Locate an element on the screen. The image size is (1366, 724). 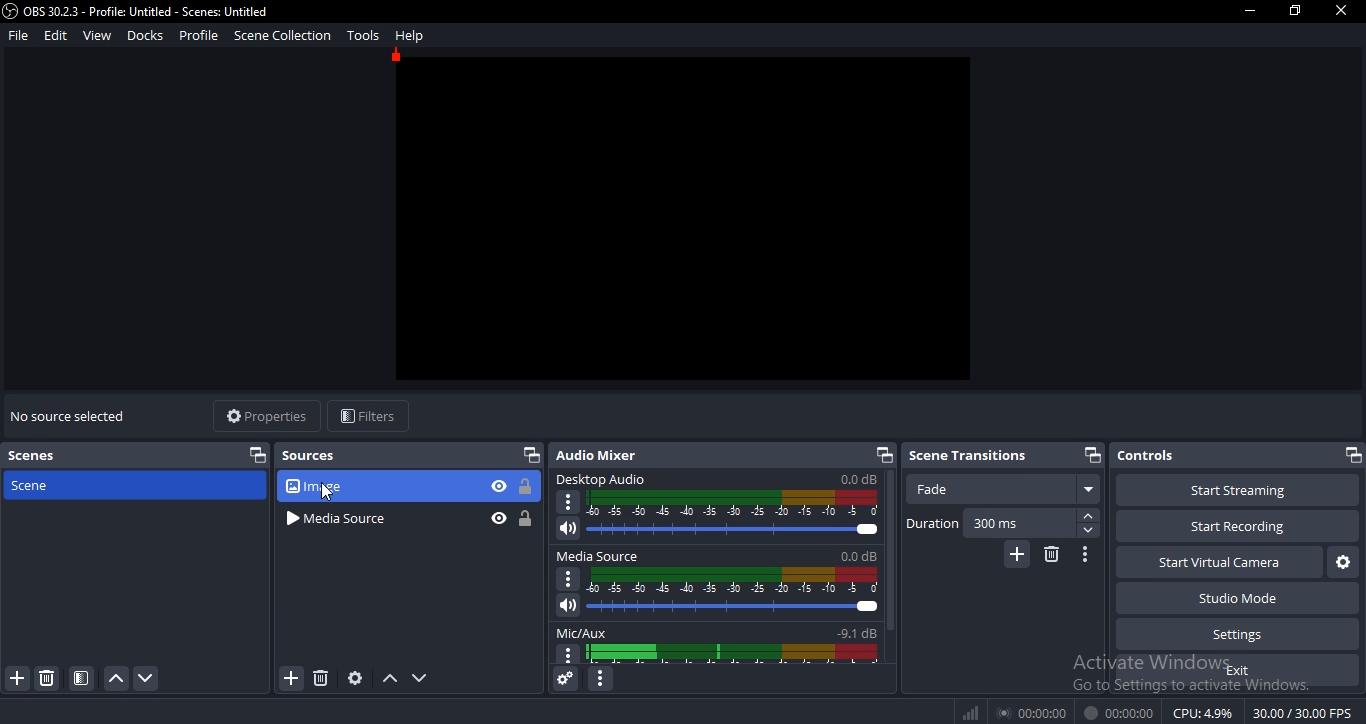
studio mode is located at coordinates (1240, 601).